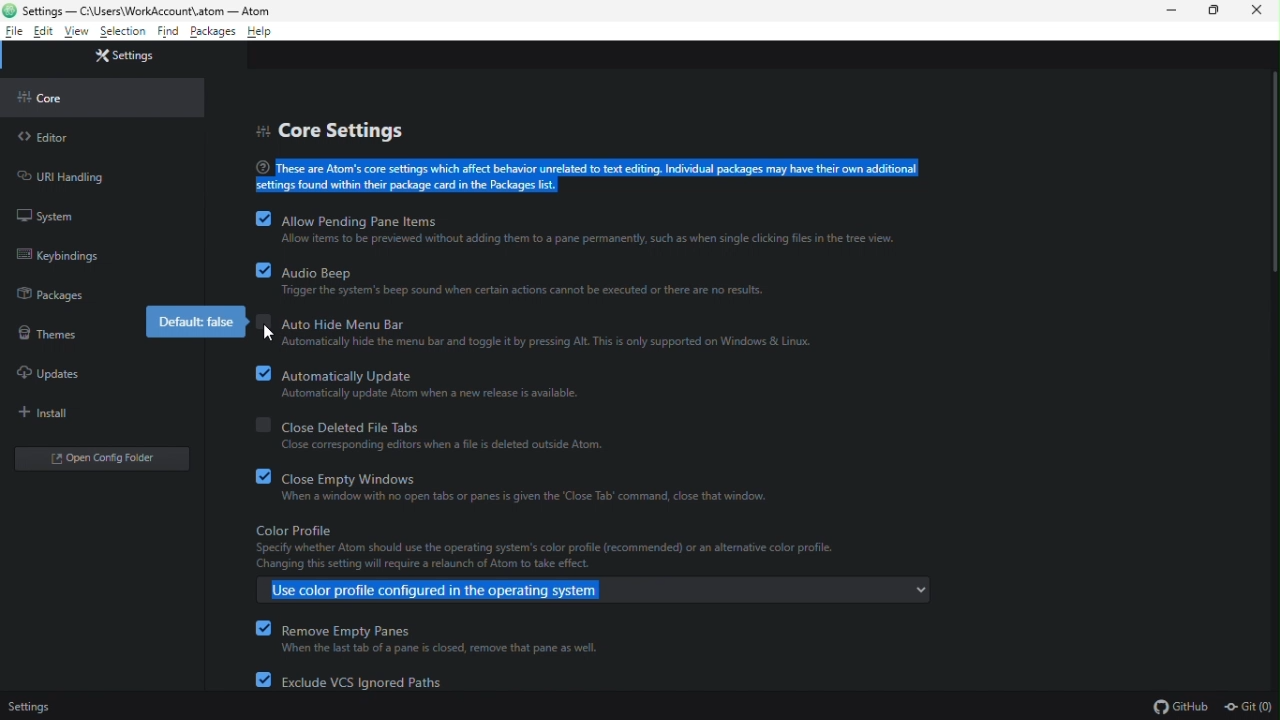  Describe the element at coordinates (512, 638) in the screenshot. I see `Remove Empty Panes
When the last tab of a pane & closed, remove that pane as well` at that location.